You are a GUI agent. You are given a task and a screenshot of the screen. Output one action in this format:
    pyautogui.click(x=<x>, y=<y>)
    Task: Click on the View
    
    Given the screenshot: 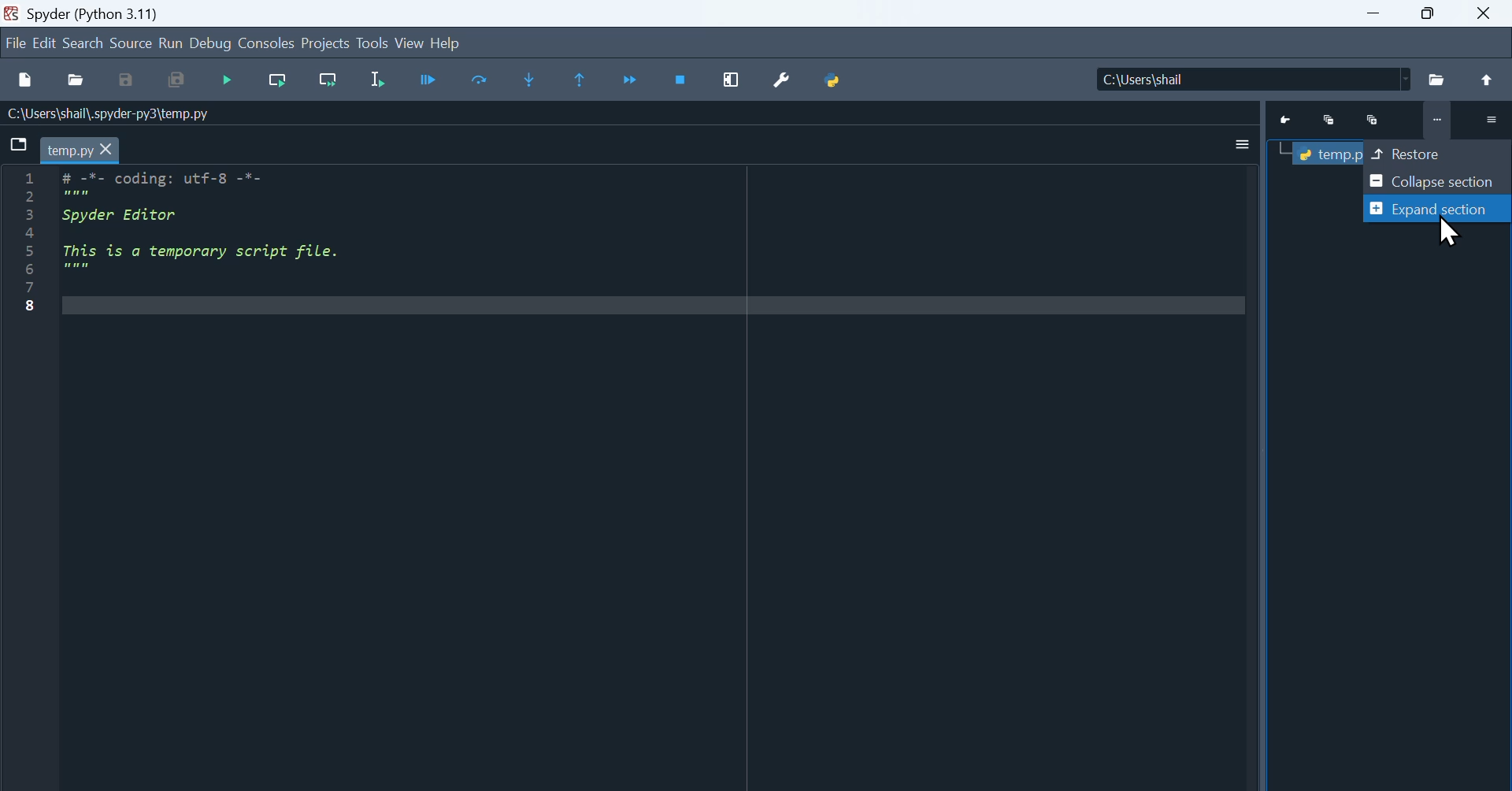 What is the action you would take?
    pyautogui.click(x=409, y=43)
    